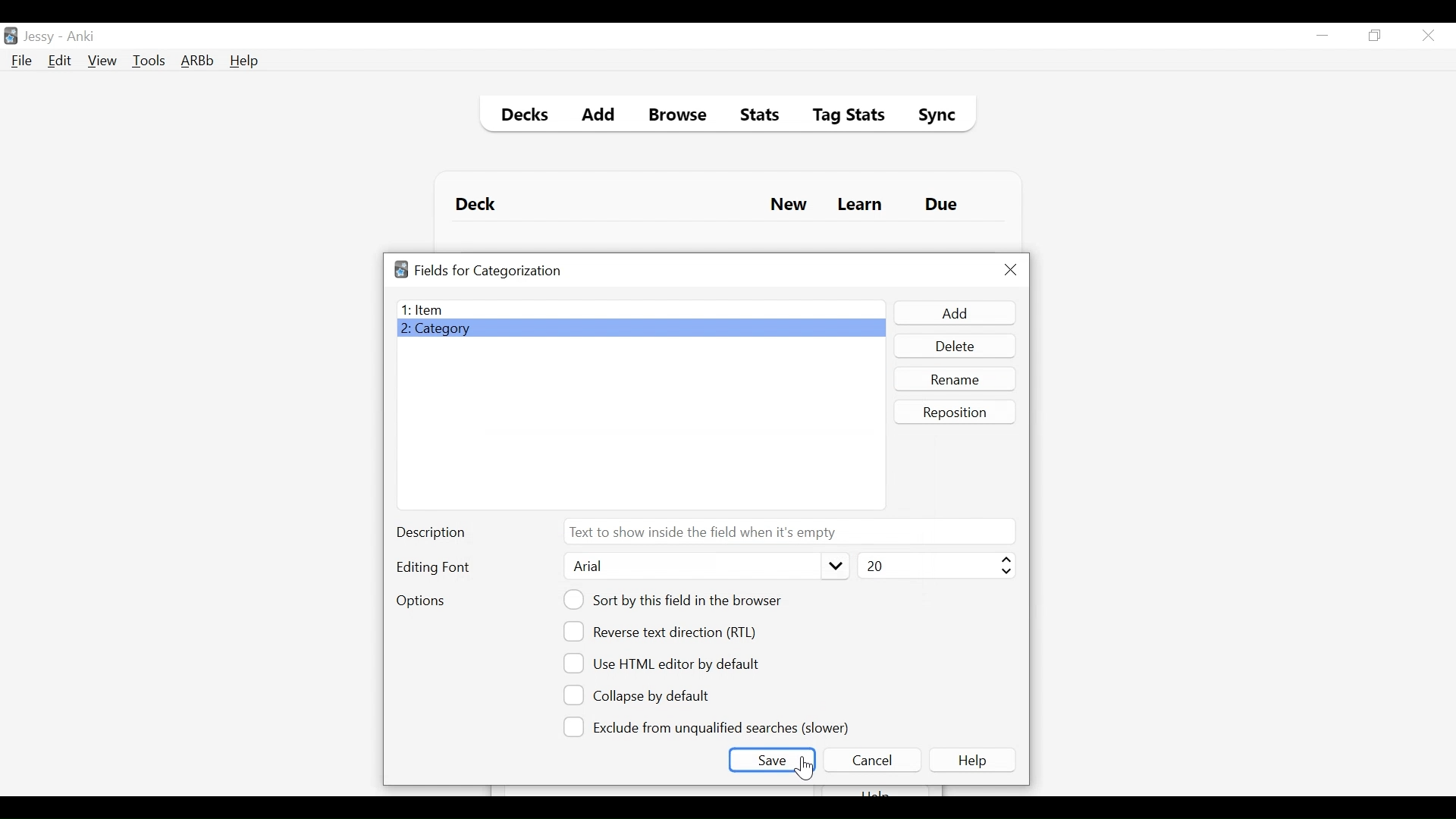 This screenshot has height=819, width=1456. I want to click on Rename, so click(956, 378).